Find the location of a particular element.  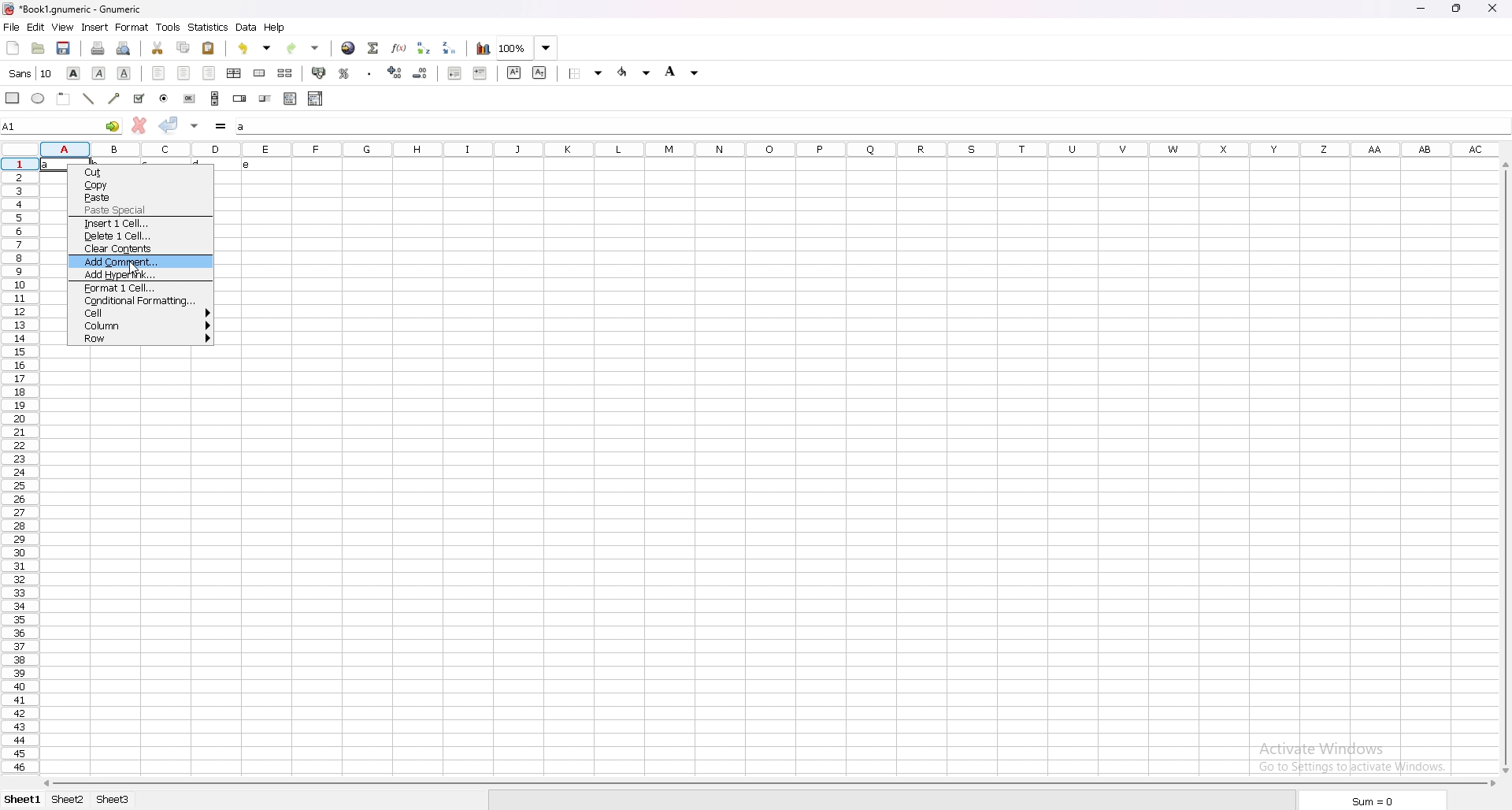

format is located at coordinates (132, 27).